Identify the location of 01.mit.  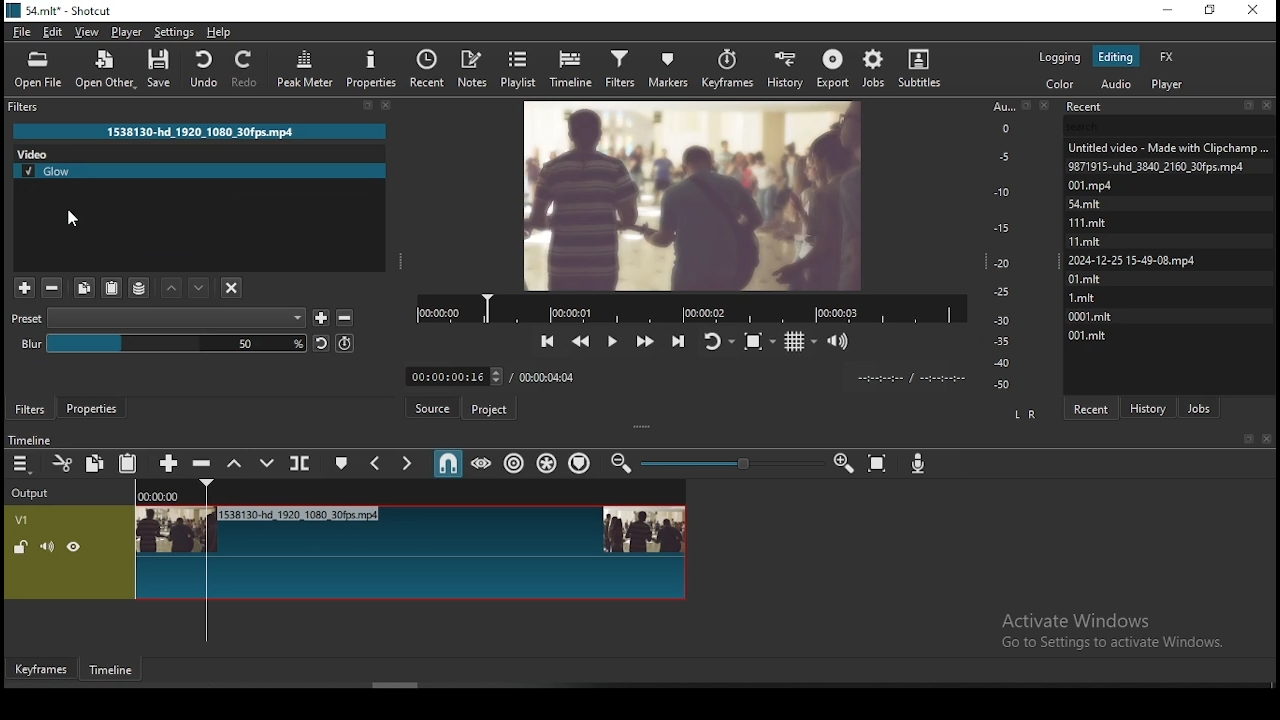
(1086, 278).